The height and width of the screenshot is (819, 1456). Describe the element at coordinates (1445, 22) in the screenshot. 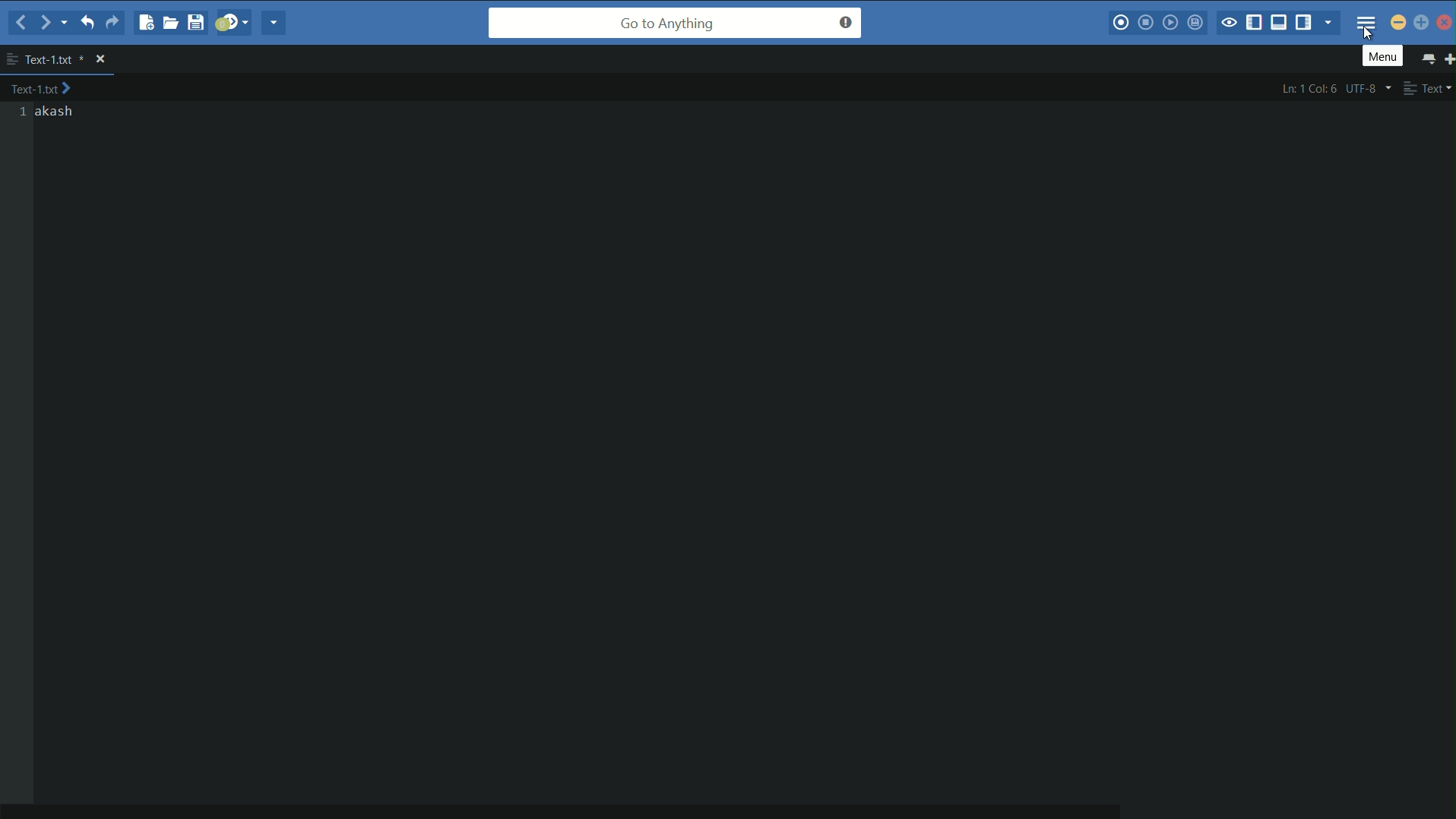

I see `Close` at that location.